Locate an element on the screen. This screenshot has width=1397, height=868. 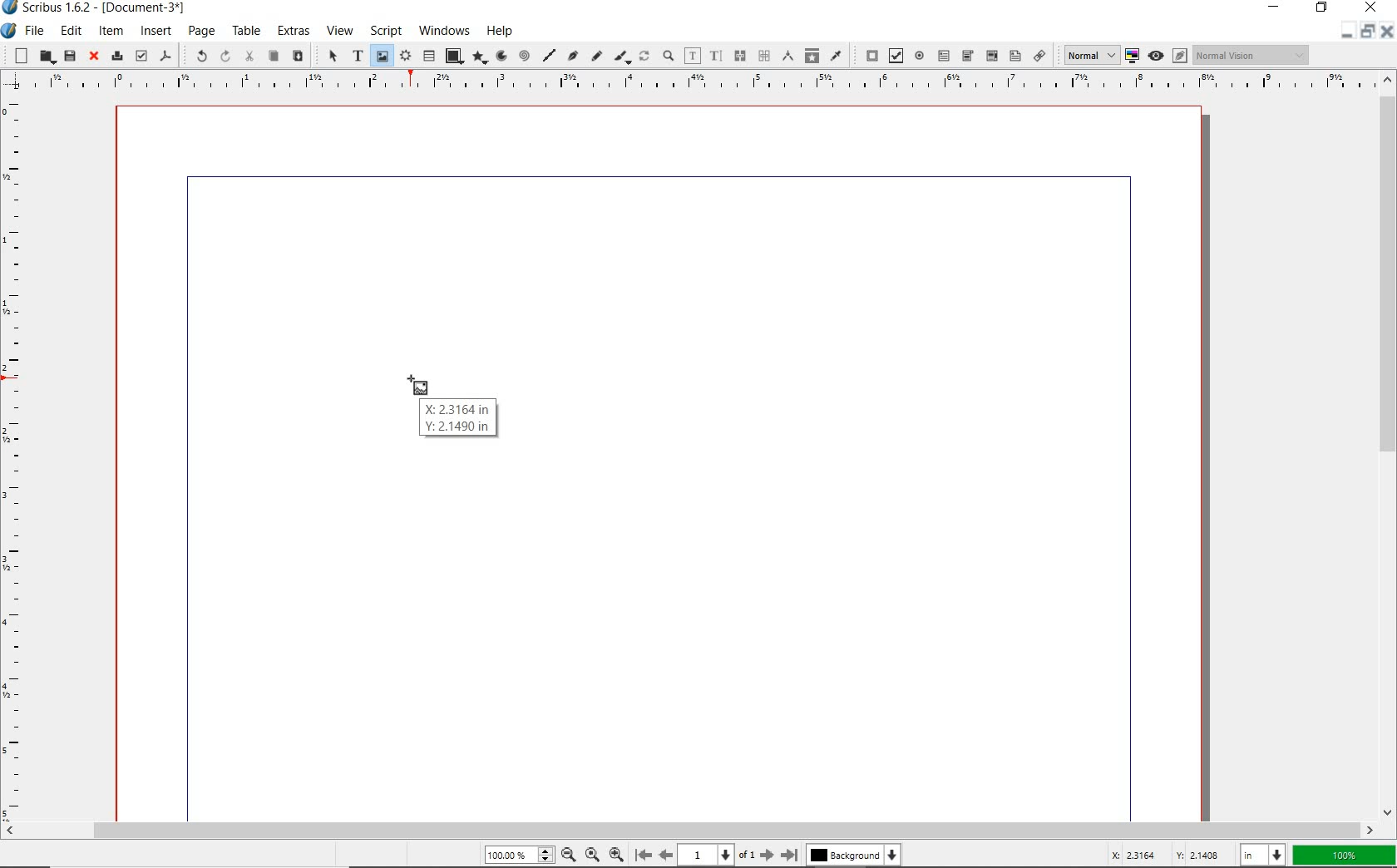
TABLE is located at coordinates (247, 30).